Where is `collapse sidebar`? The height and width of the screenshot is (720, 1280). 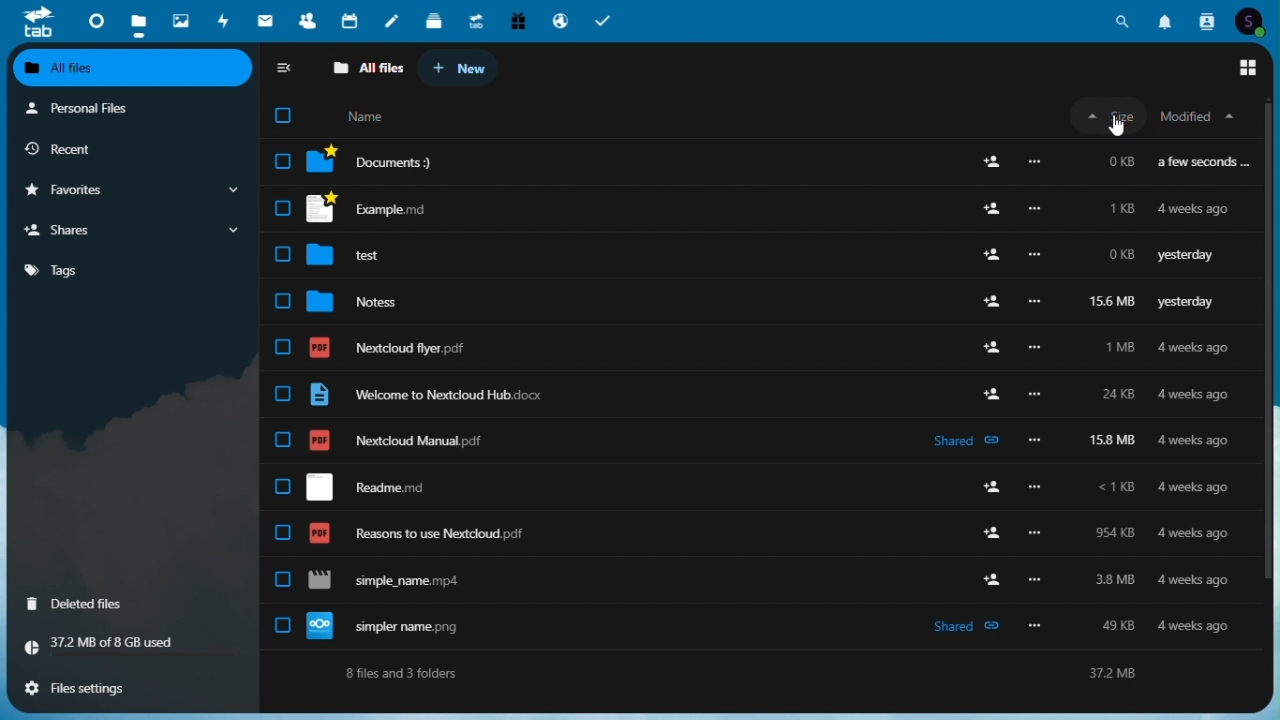 collapse sidebar is located at coordinates (286, 67).